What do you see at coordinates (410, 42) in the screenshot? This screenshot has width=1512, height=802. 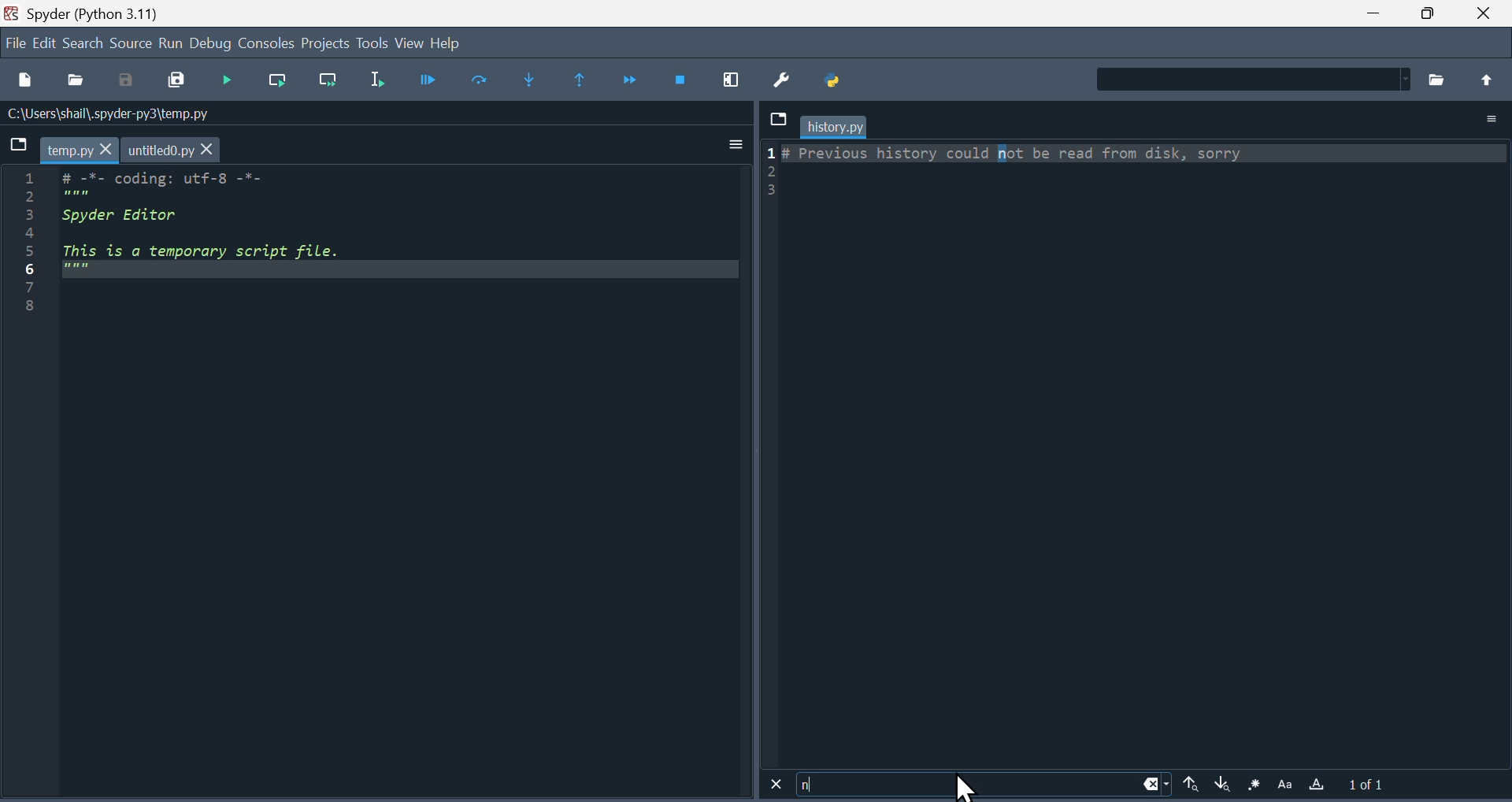 I see `view` at bounding box center [410, 42].